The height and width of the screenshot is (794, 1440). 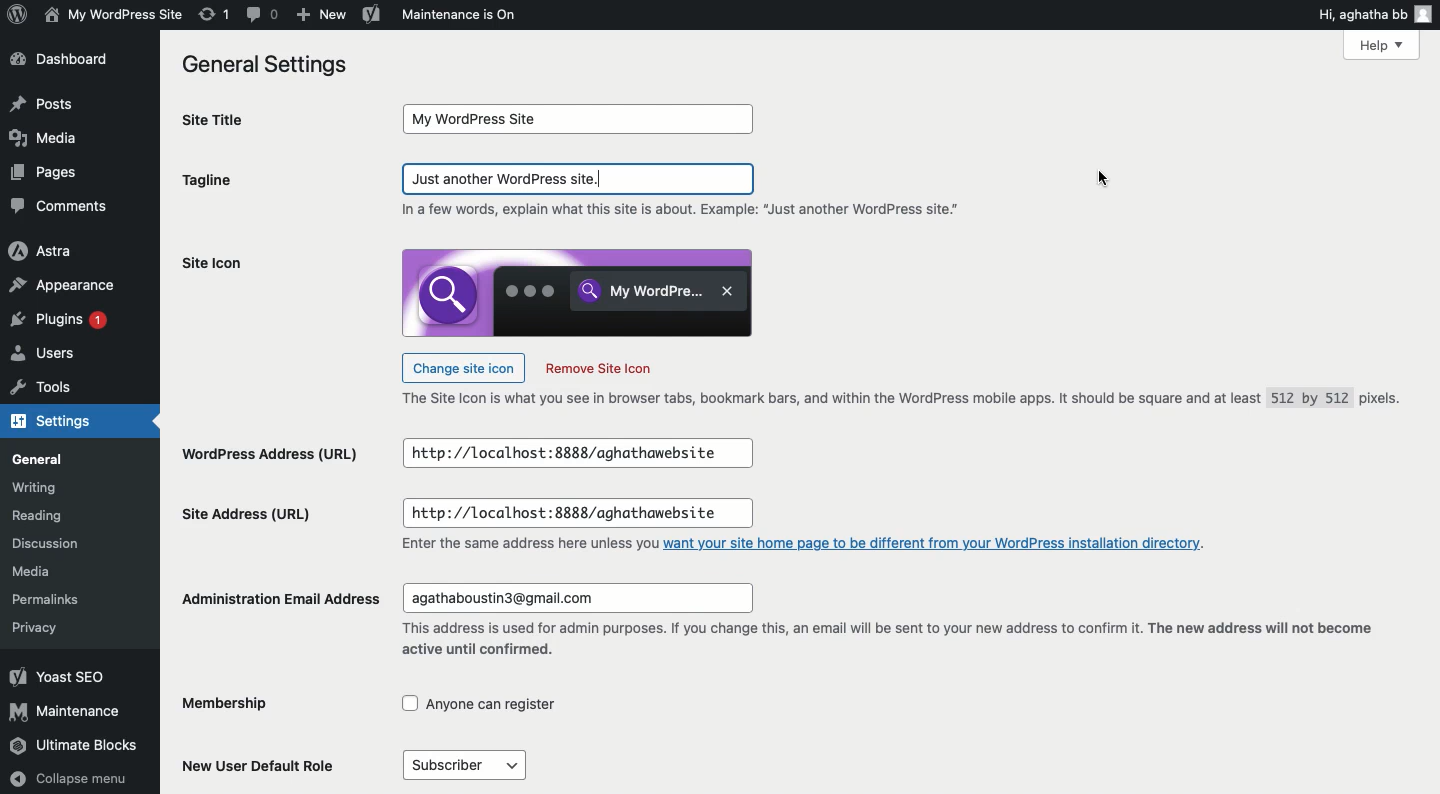 I want to click on Comments, so click(x=60, y=206).